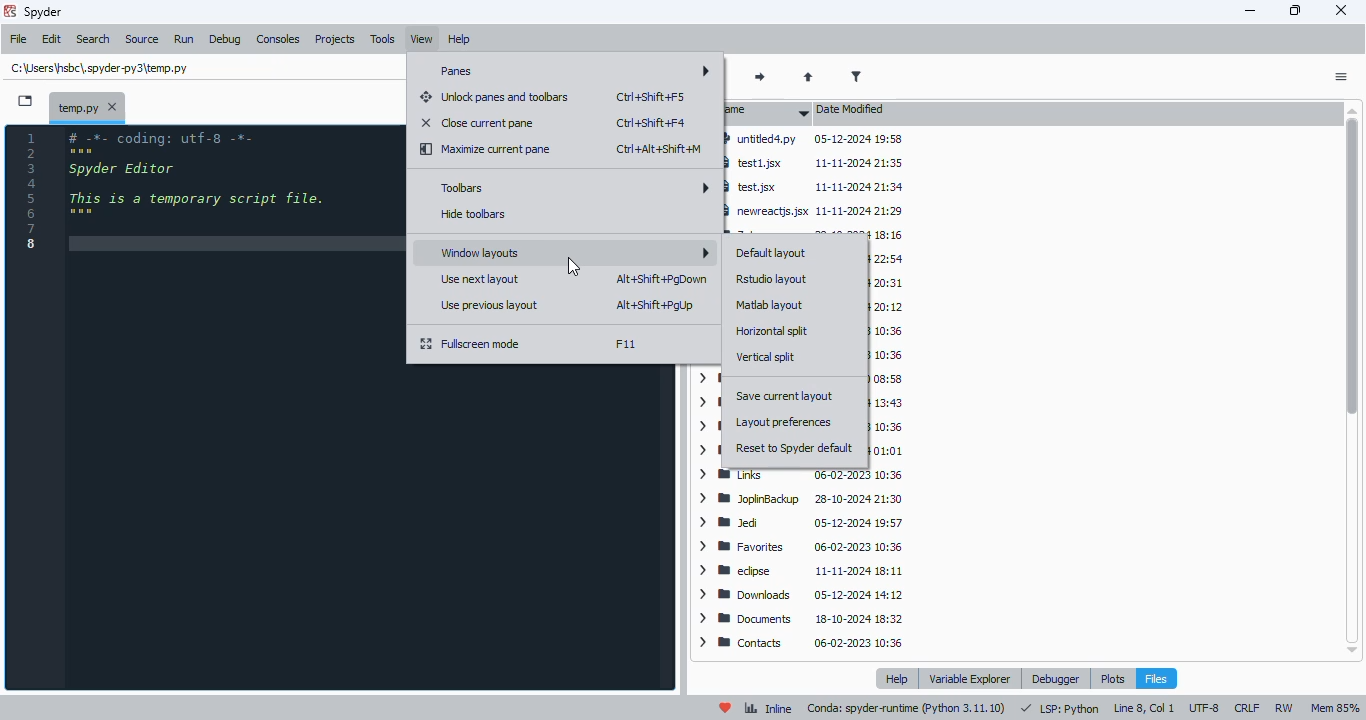 This screenshot has height=720, width=1366. What do you see at coordinates (573, 266) in the screenshot?
I see `cursor` at bounding box center [573, 266].